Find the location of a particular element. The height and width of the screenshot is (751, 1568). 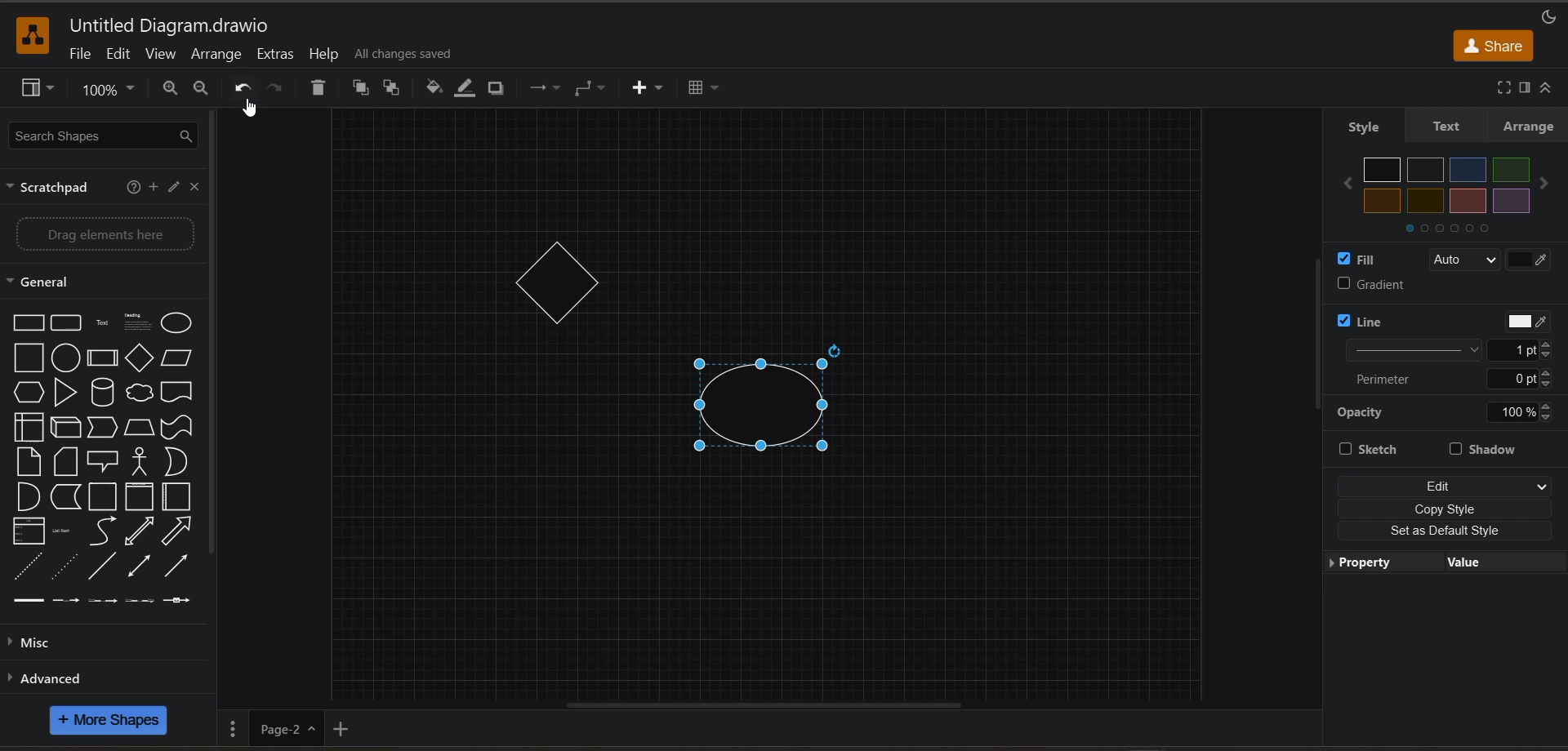

Hexagon is located at coordinates (29, 392).